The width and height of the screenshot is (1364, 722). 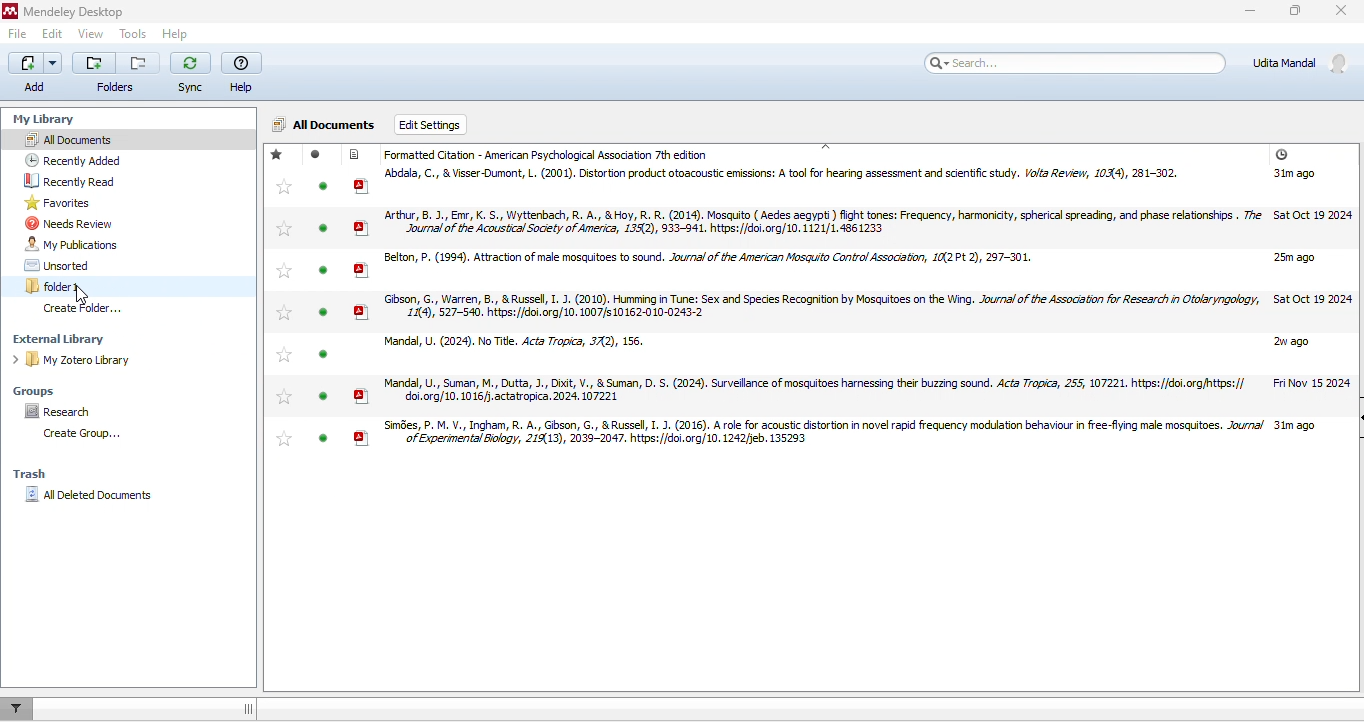 I want to click on tools, so click(x=131, y=34).